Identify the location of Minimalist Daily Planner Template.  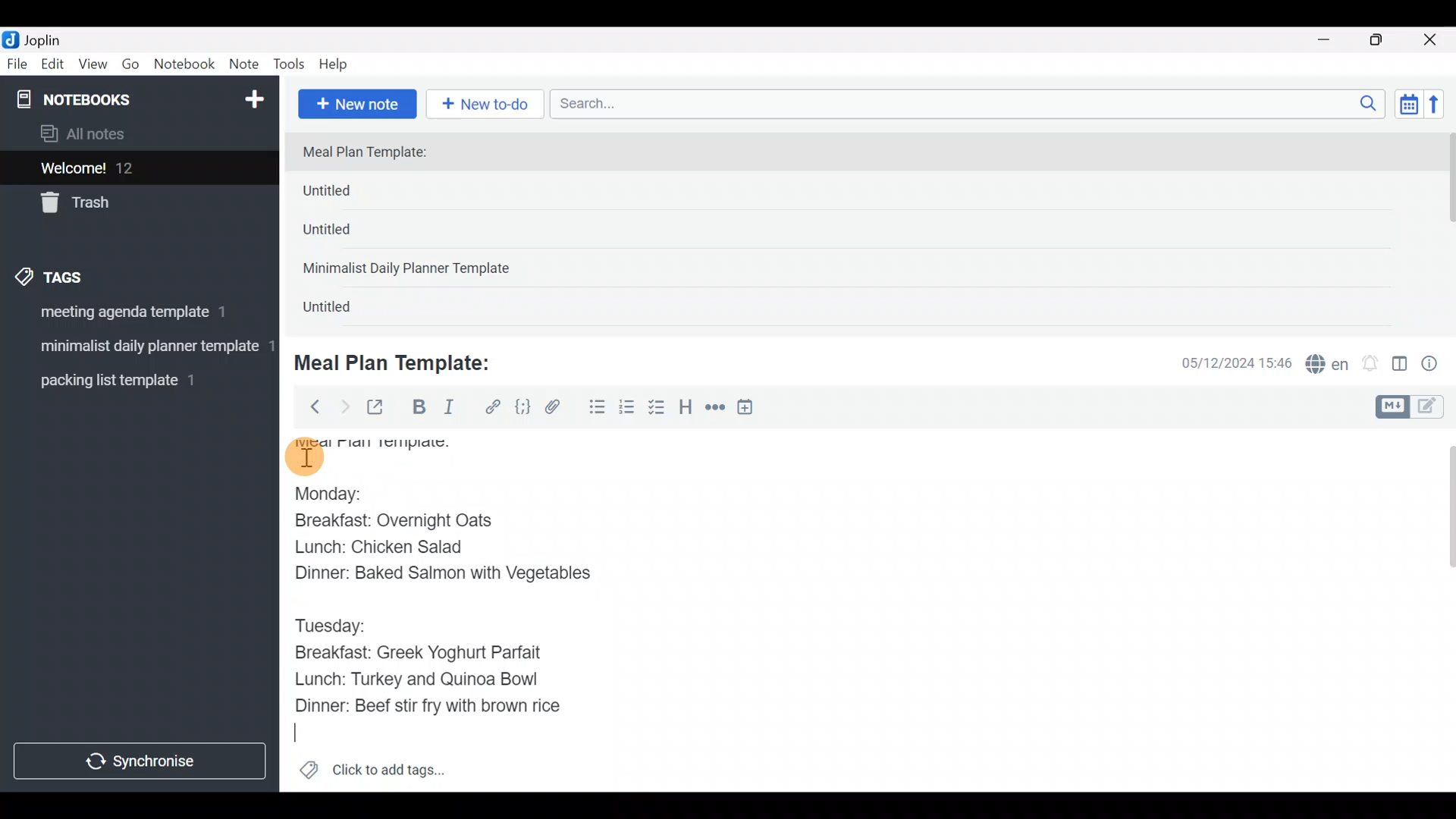
(411, 270).